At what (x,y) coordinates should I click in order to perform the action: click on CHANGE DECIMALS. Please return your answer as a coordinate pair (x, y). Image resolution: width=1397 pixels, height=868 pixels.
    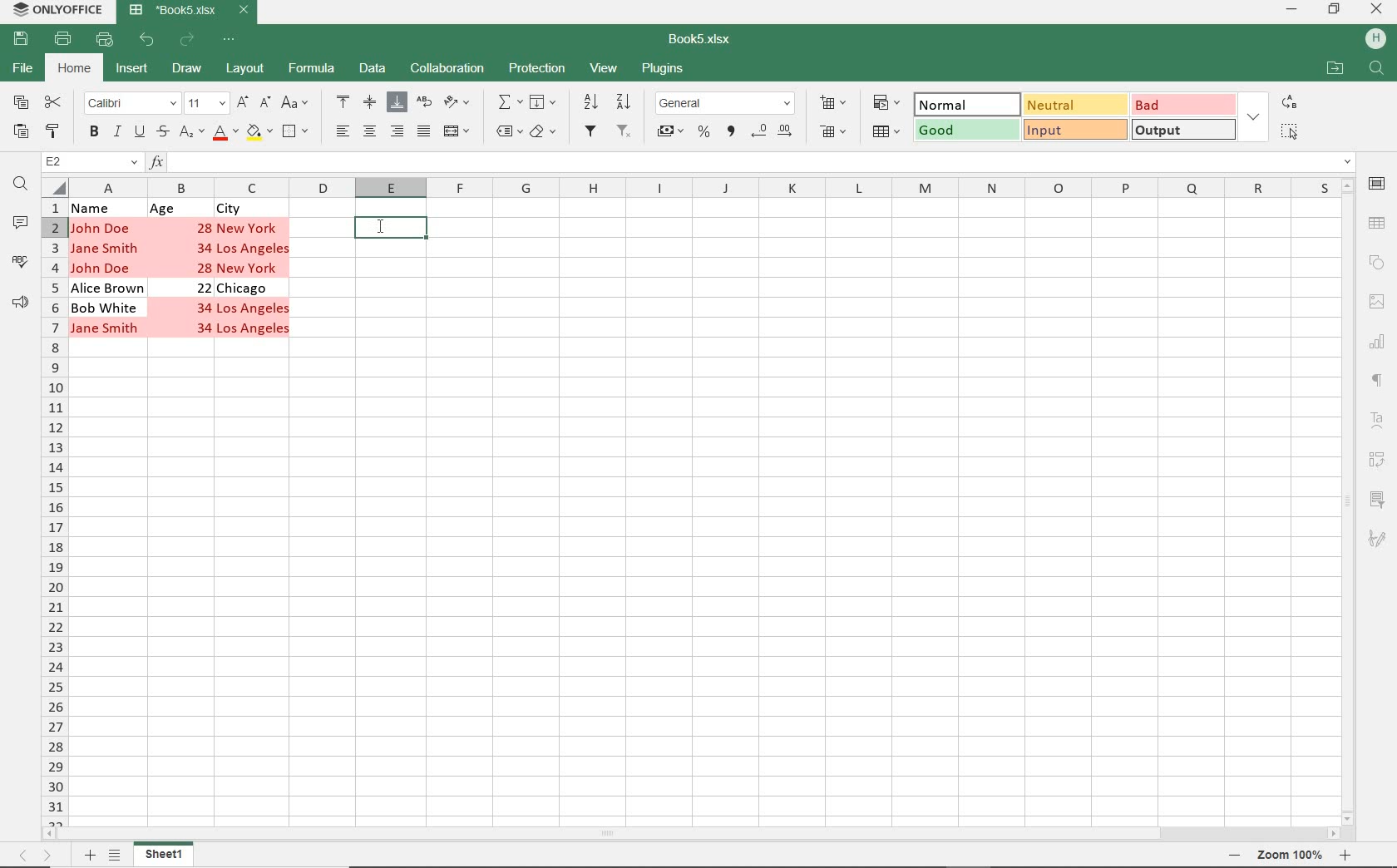
    Looking at the image, I should click on (773, 131).